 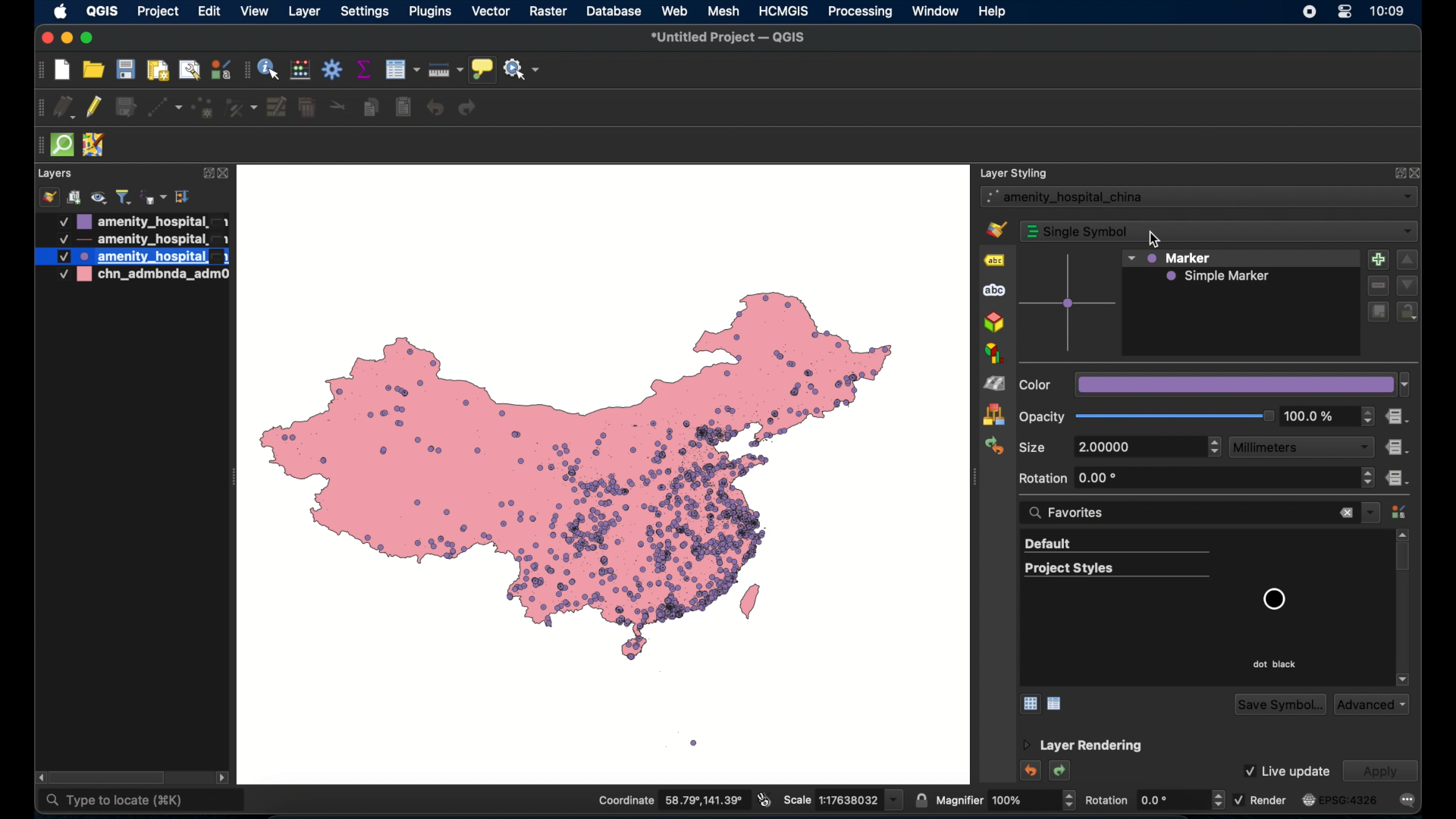 I want to click on time, so click(x=1389, y=13).